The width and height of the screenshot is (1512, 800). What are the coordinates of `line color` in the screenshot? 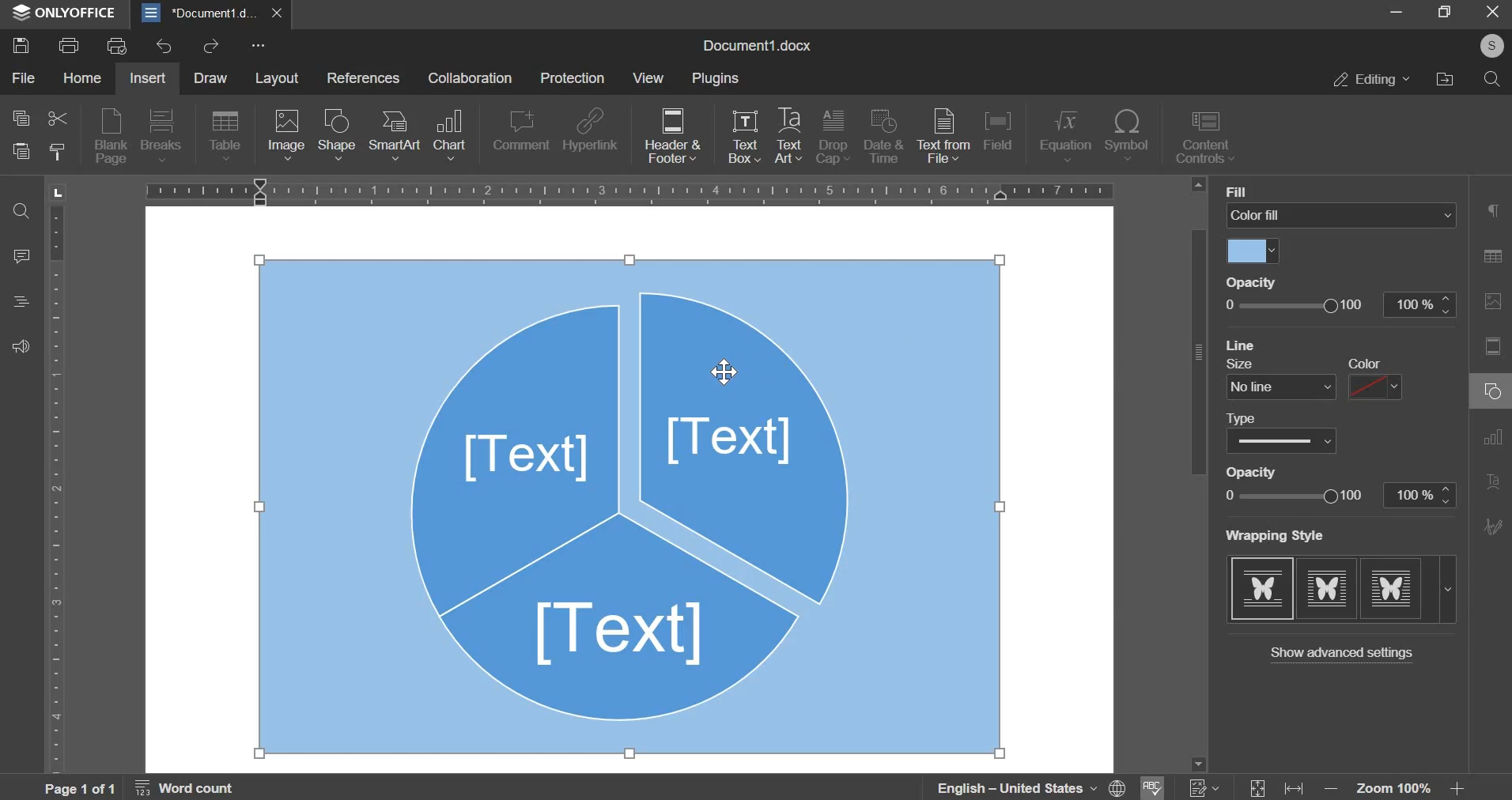 It's located at (1378, 387).